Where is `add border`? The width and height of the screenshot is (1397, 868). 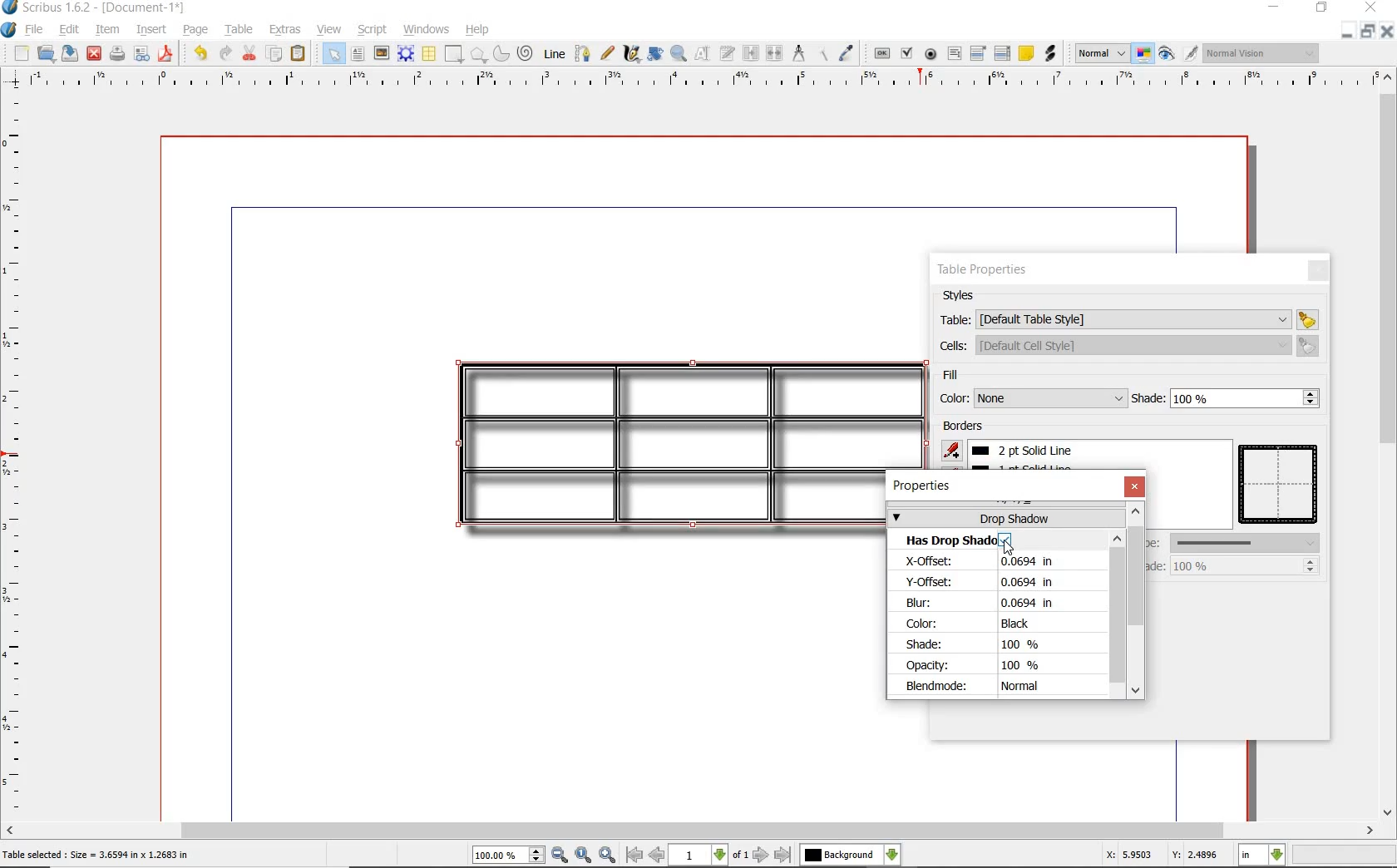
add border is located at coordinates (954, 450).